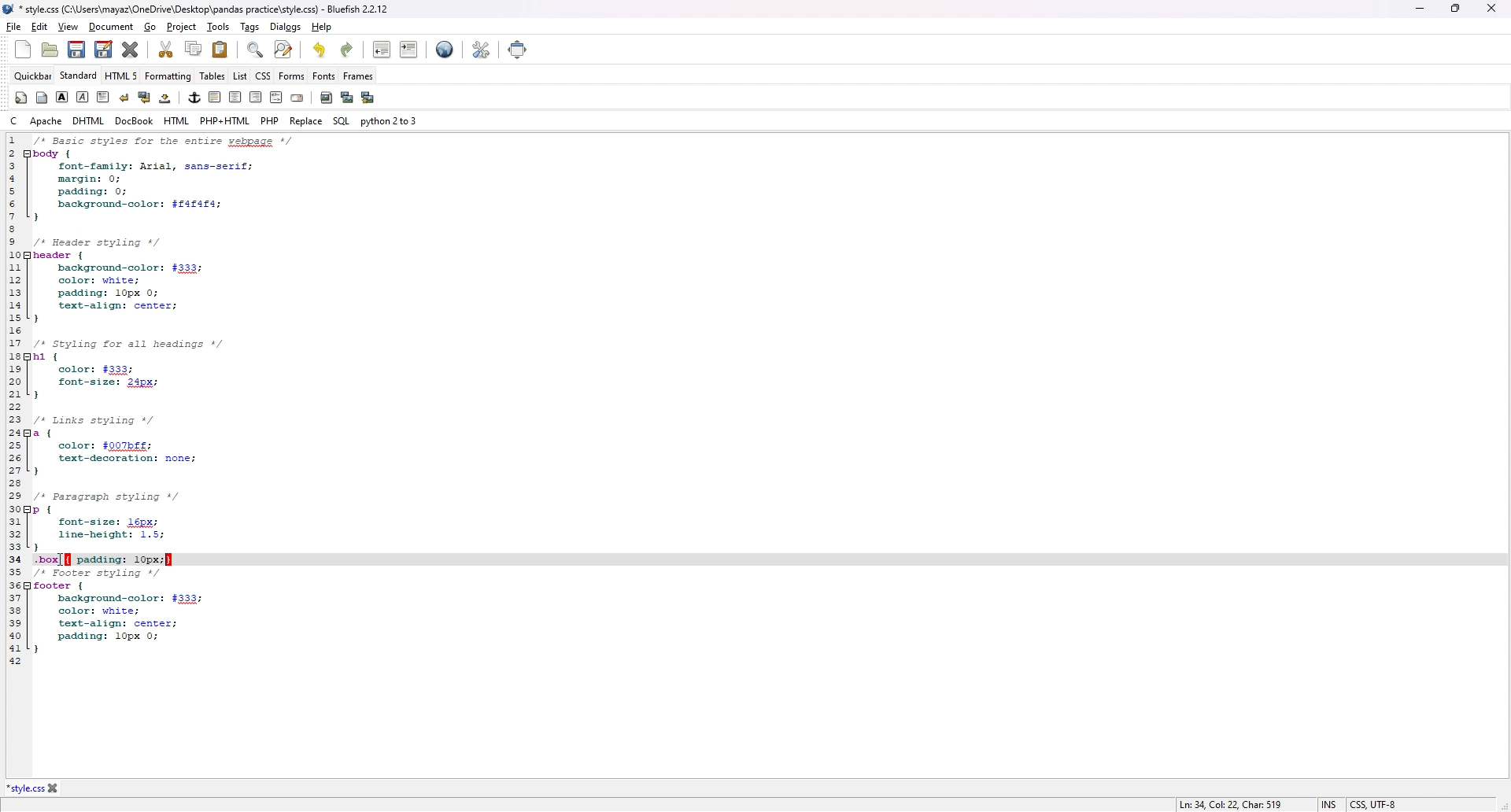 The height and width of the screenshot is (812, 1511). I want to click on apache, so click(46, 120).